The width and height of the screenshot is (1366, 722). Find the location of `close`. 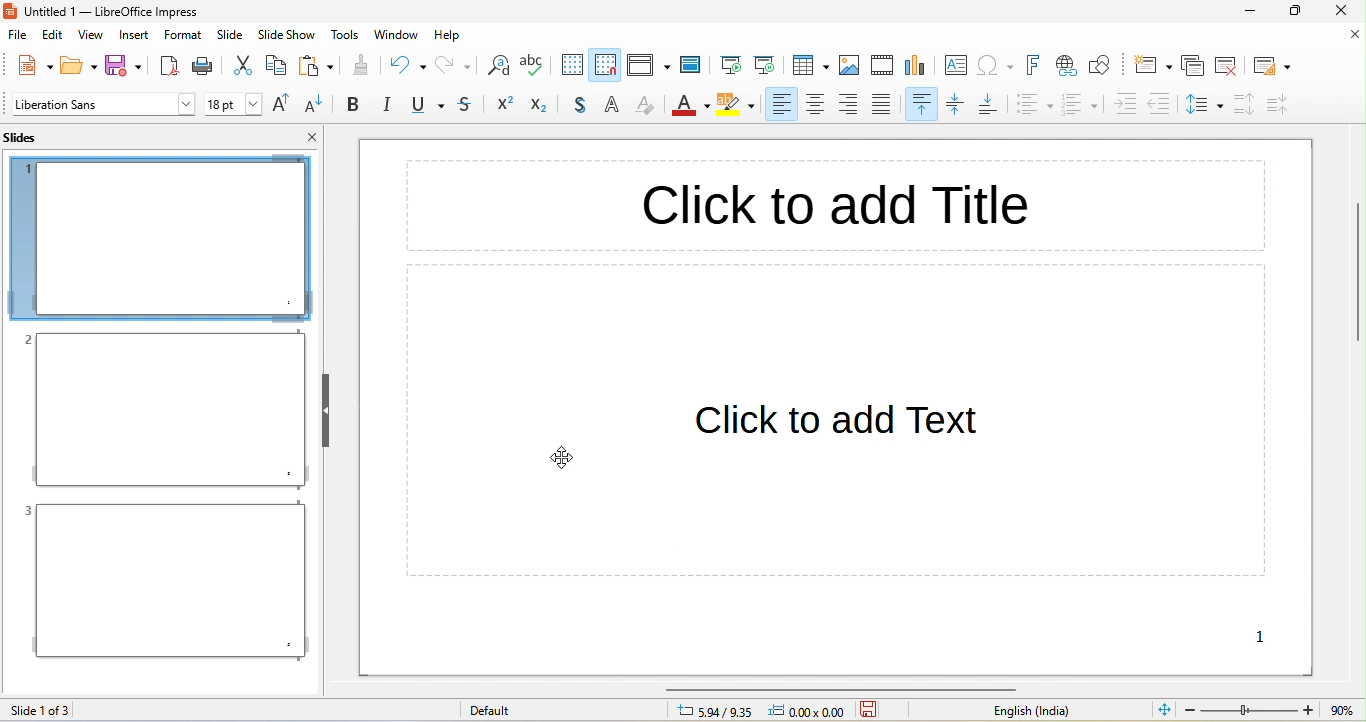

close is located at coordinates (1340, 12).